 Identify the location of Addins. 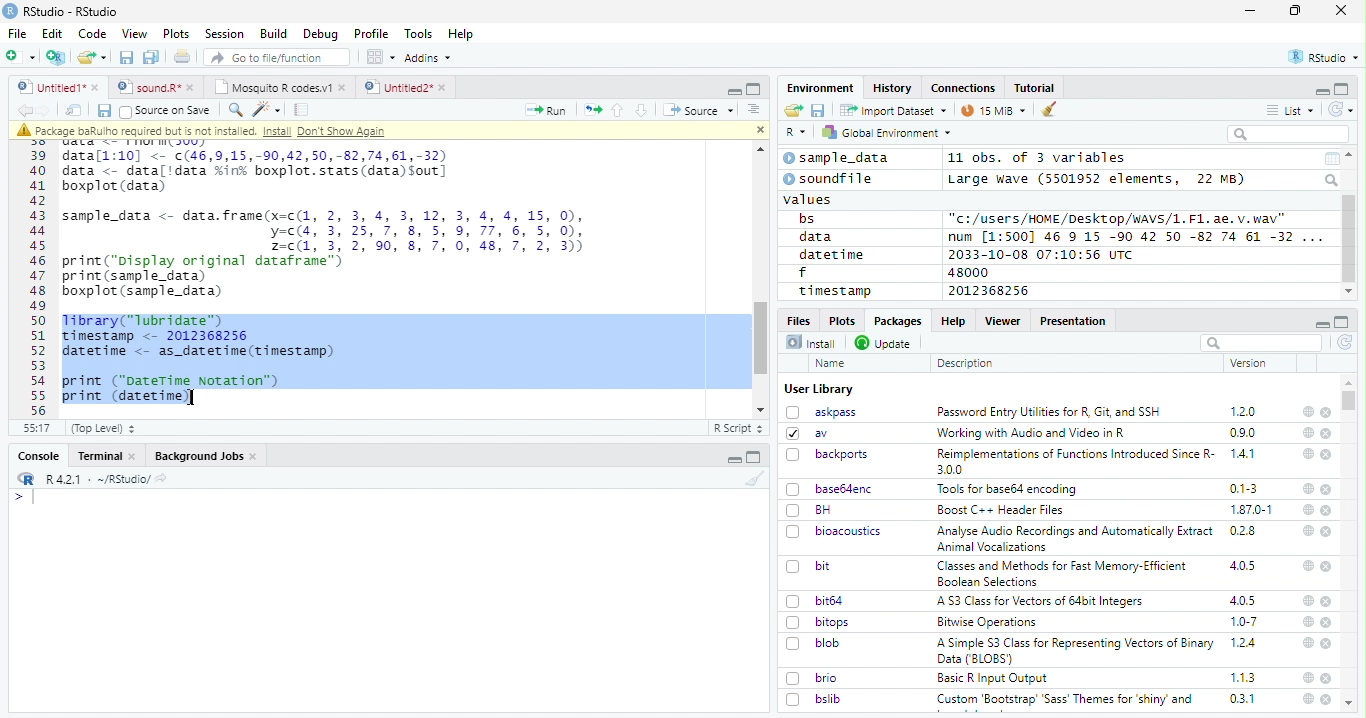
(428, 58).